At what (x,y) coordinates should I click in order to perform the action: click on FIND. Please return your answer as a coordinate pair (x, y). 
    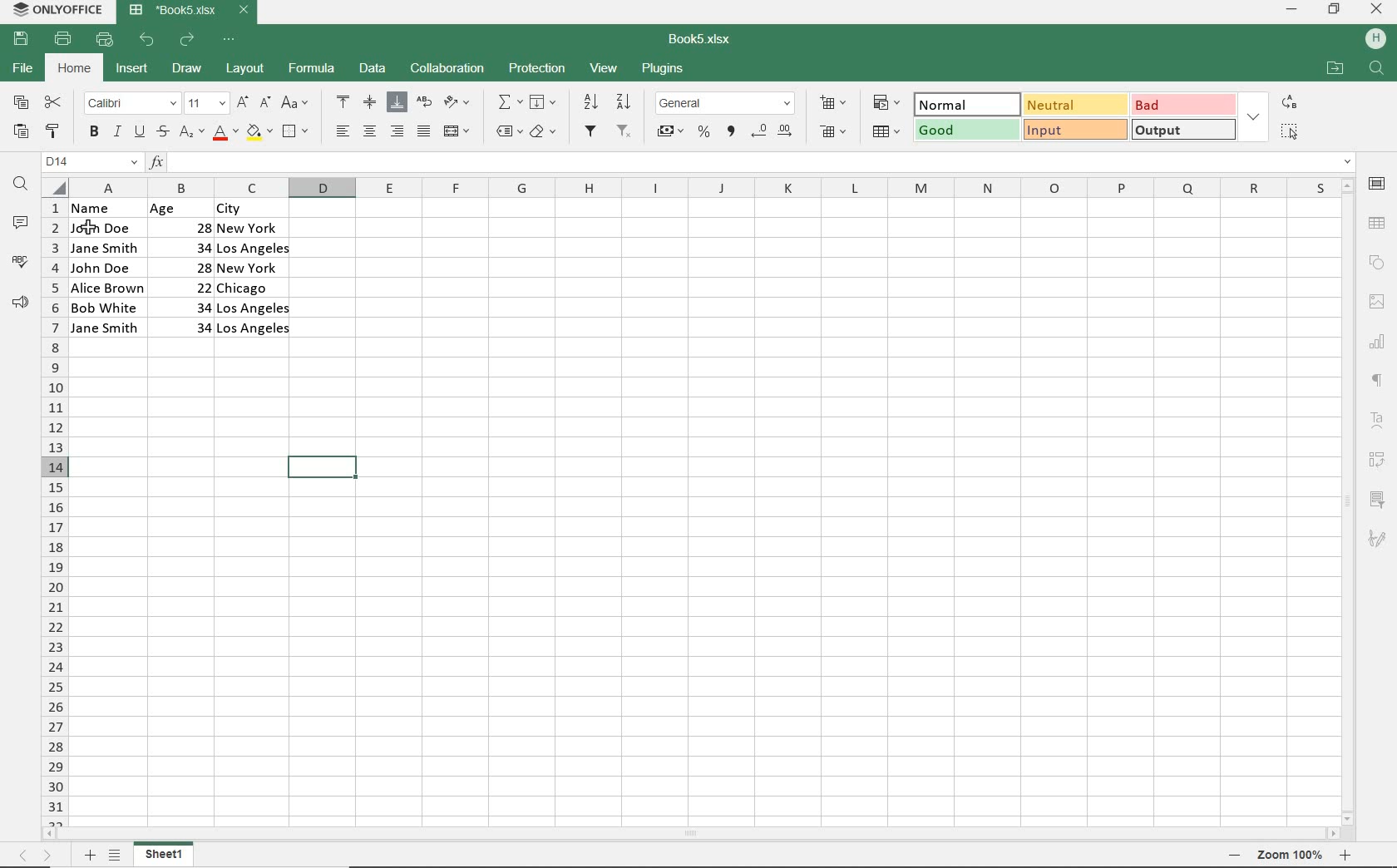
    Looking at the image, I should click on (21, 185).